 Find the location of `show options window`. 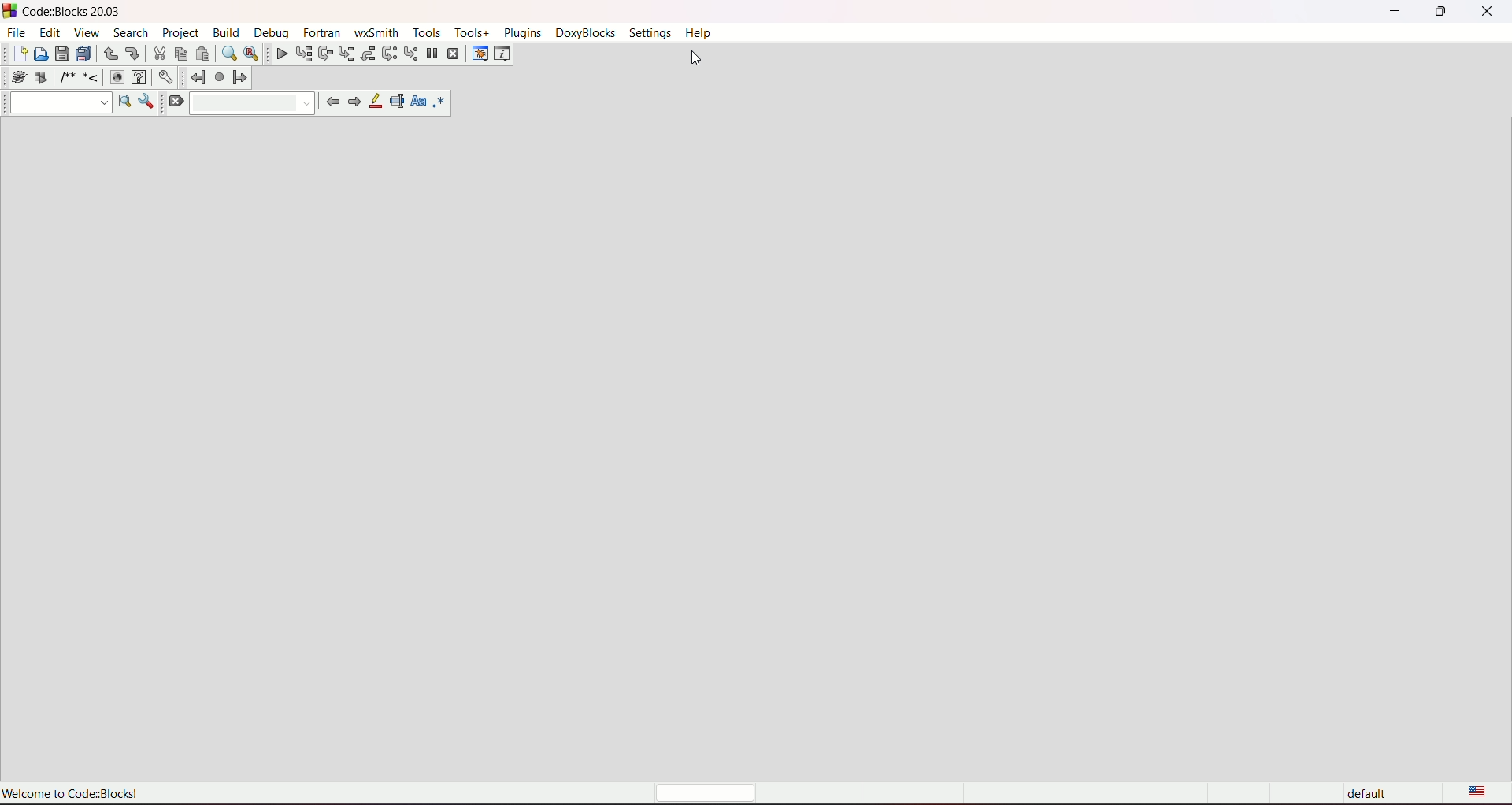

show options window is located at coordinates (148, 102).